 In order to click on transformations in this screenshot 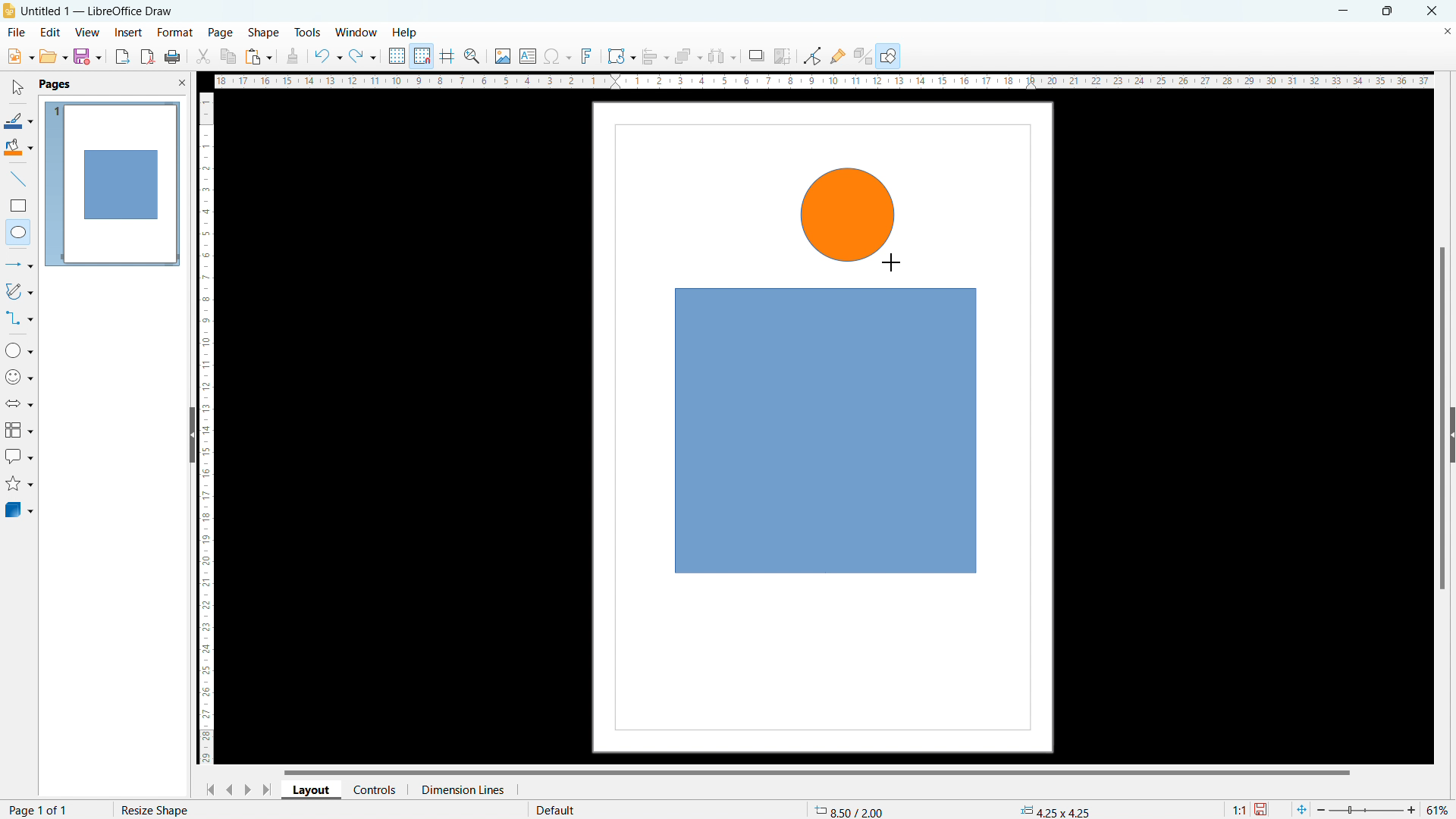, I will do `click(620, 56)`.